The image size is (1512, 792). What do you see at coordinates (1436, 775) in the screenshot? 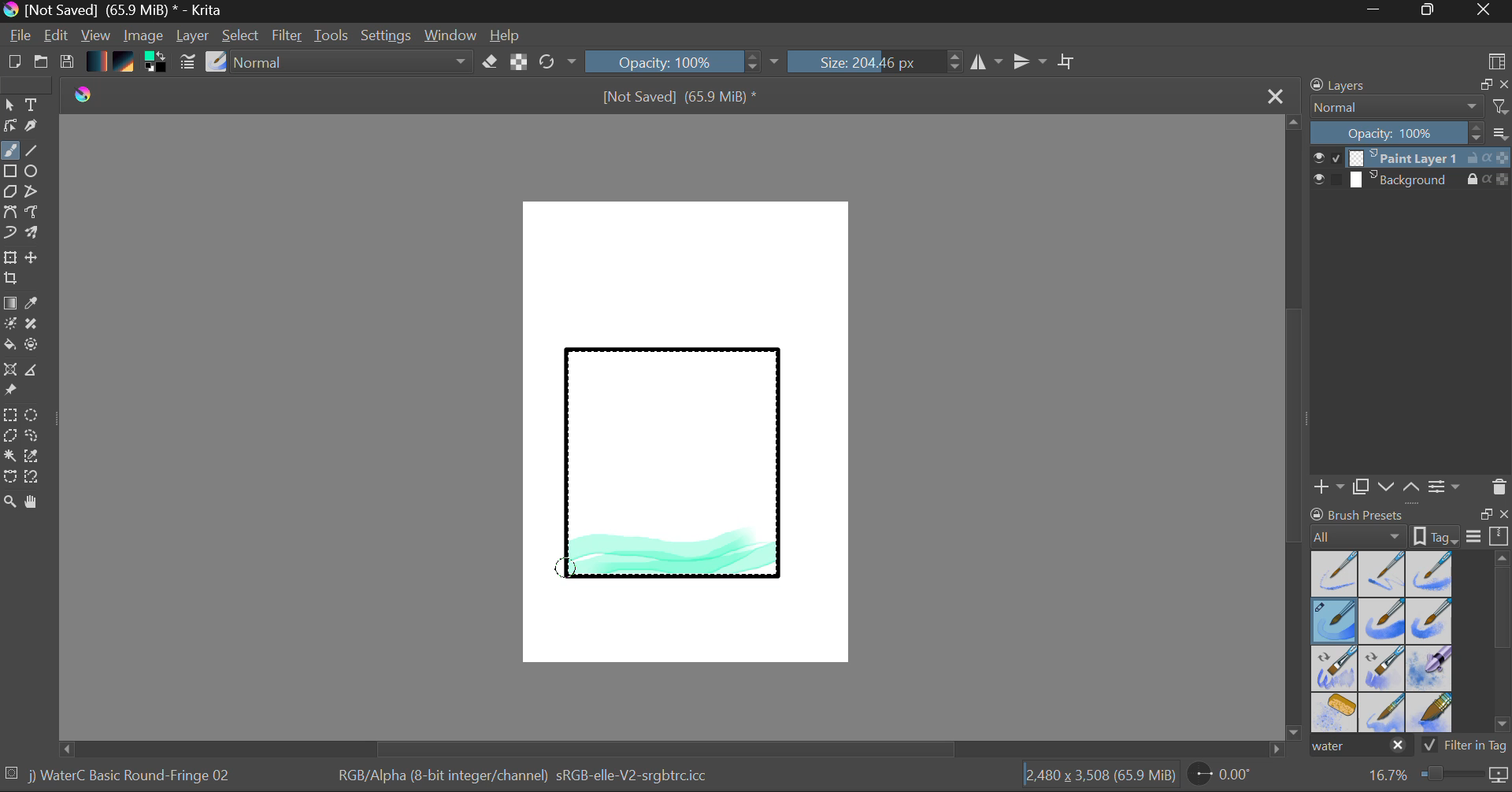
I see `Zoom` at bounding box center [1436, 775].